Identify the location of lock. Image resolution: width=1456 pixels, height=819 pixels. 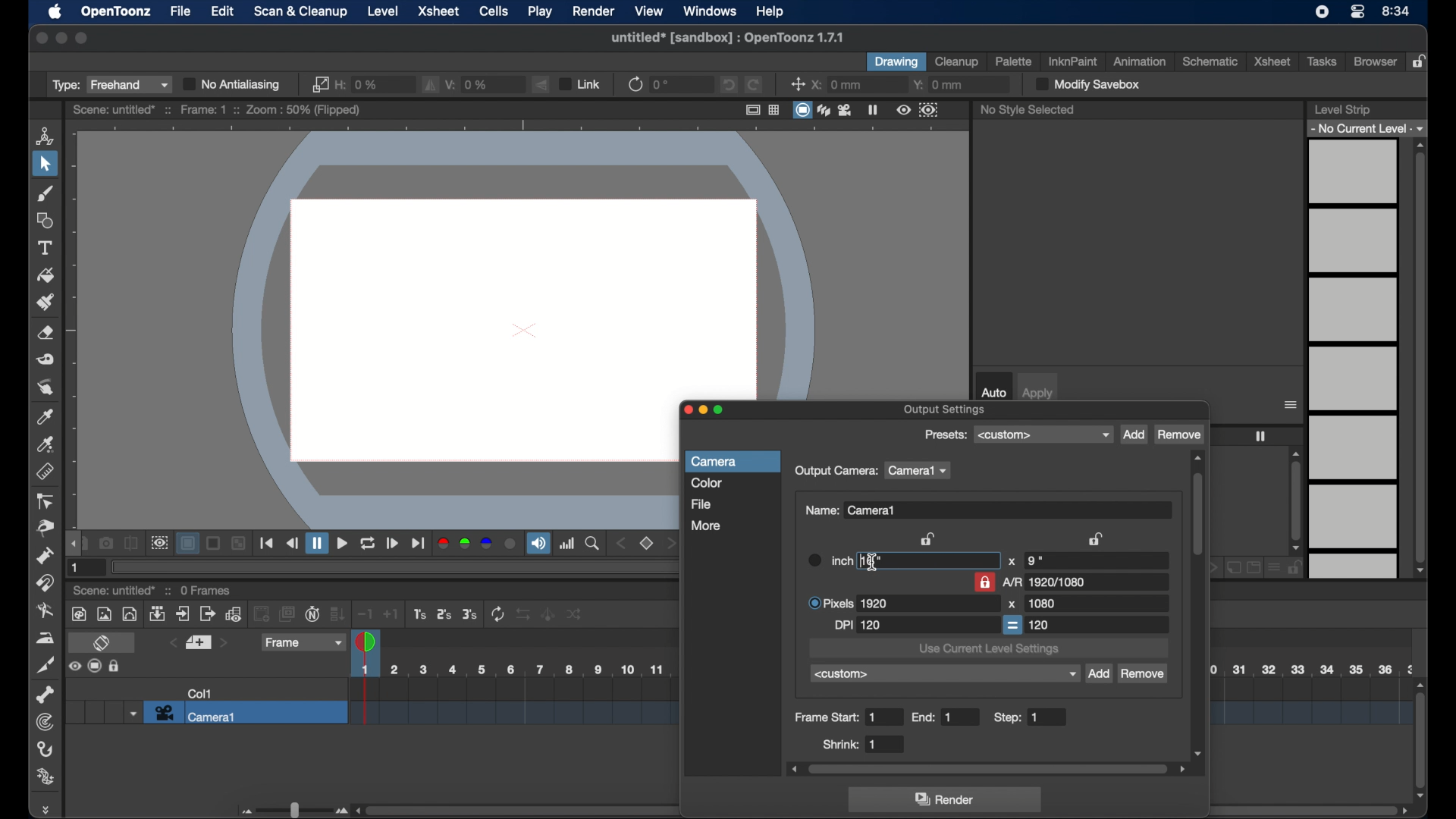
(1421, 62).